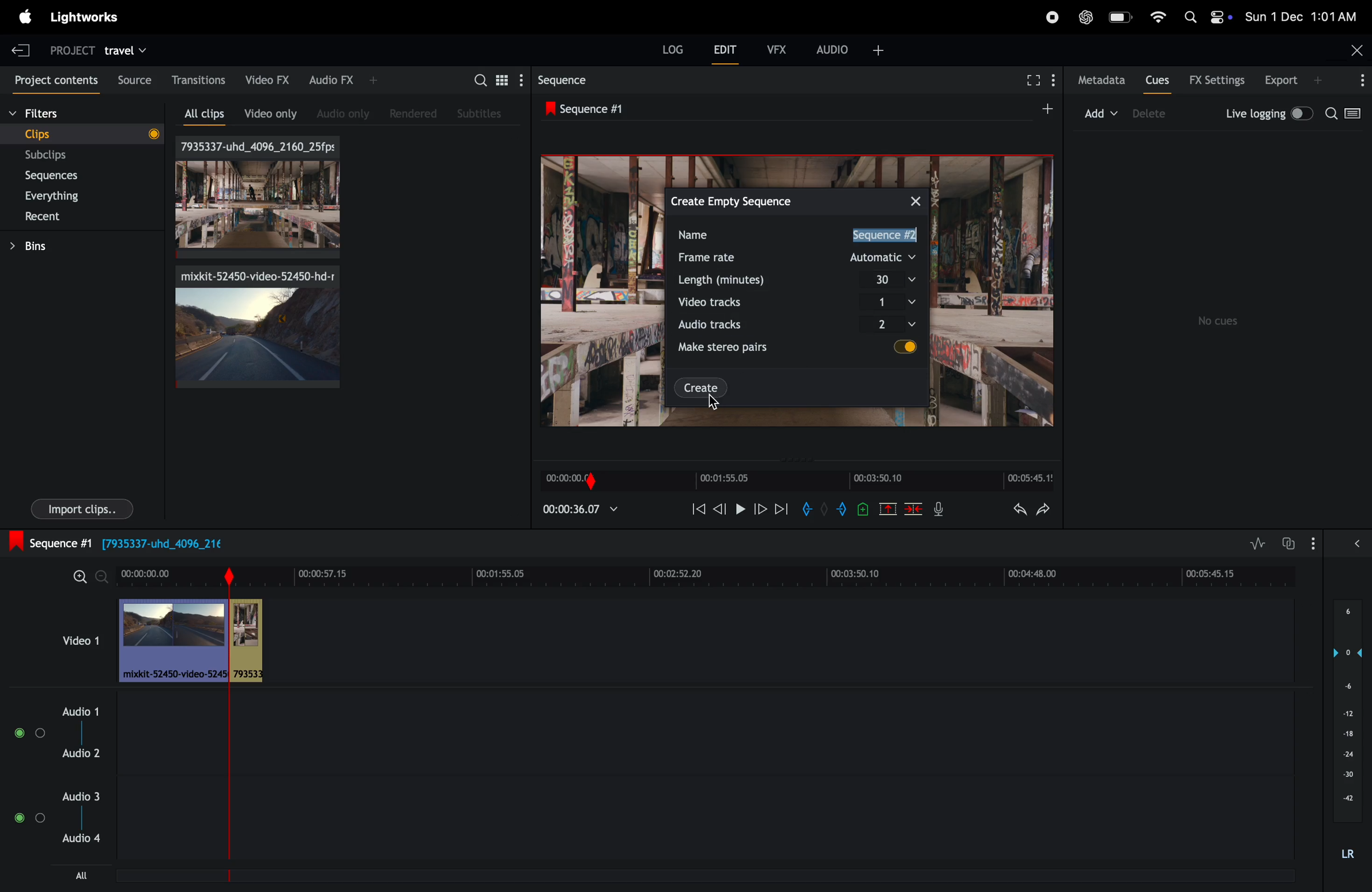  Describe the element at coordinates (85, 796) in the screenshot. I see `Audio 3` at that location.